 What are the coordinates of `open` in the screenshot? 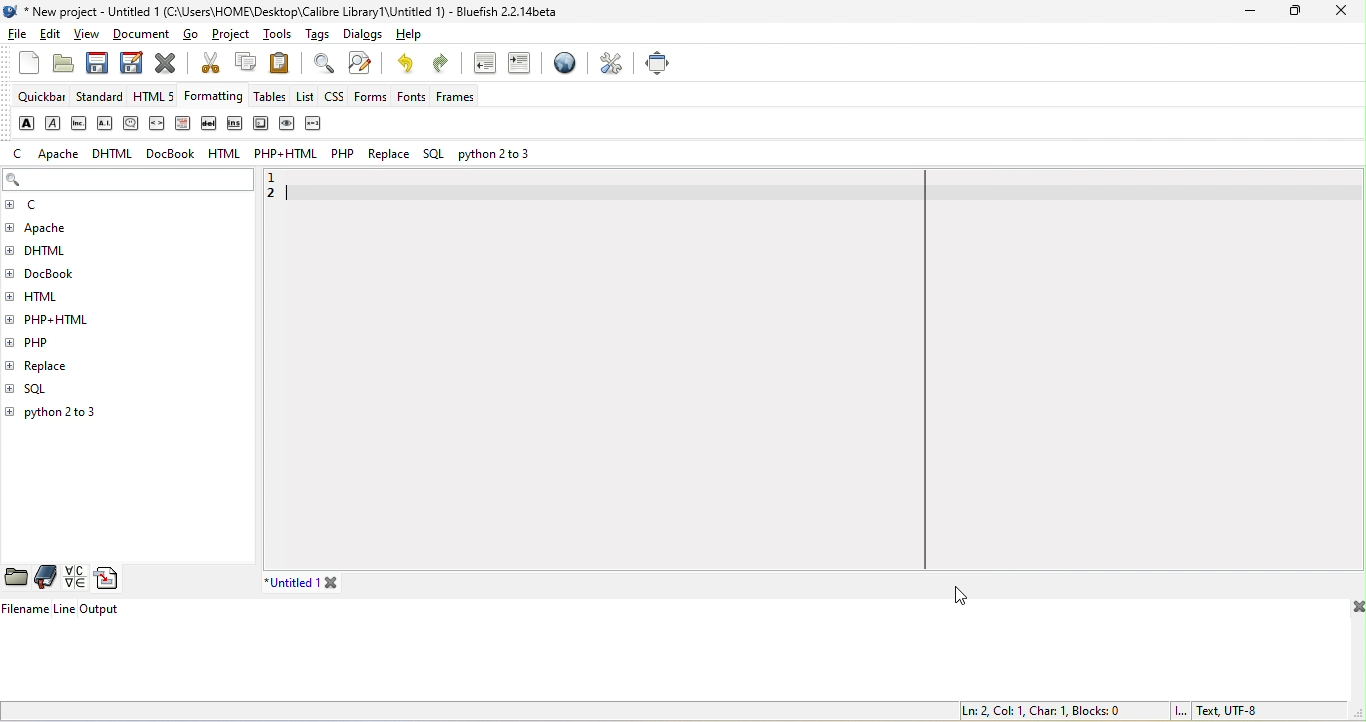 It's located at (62, 67).